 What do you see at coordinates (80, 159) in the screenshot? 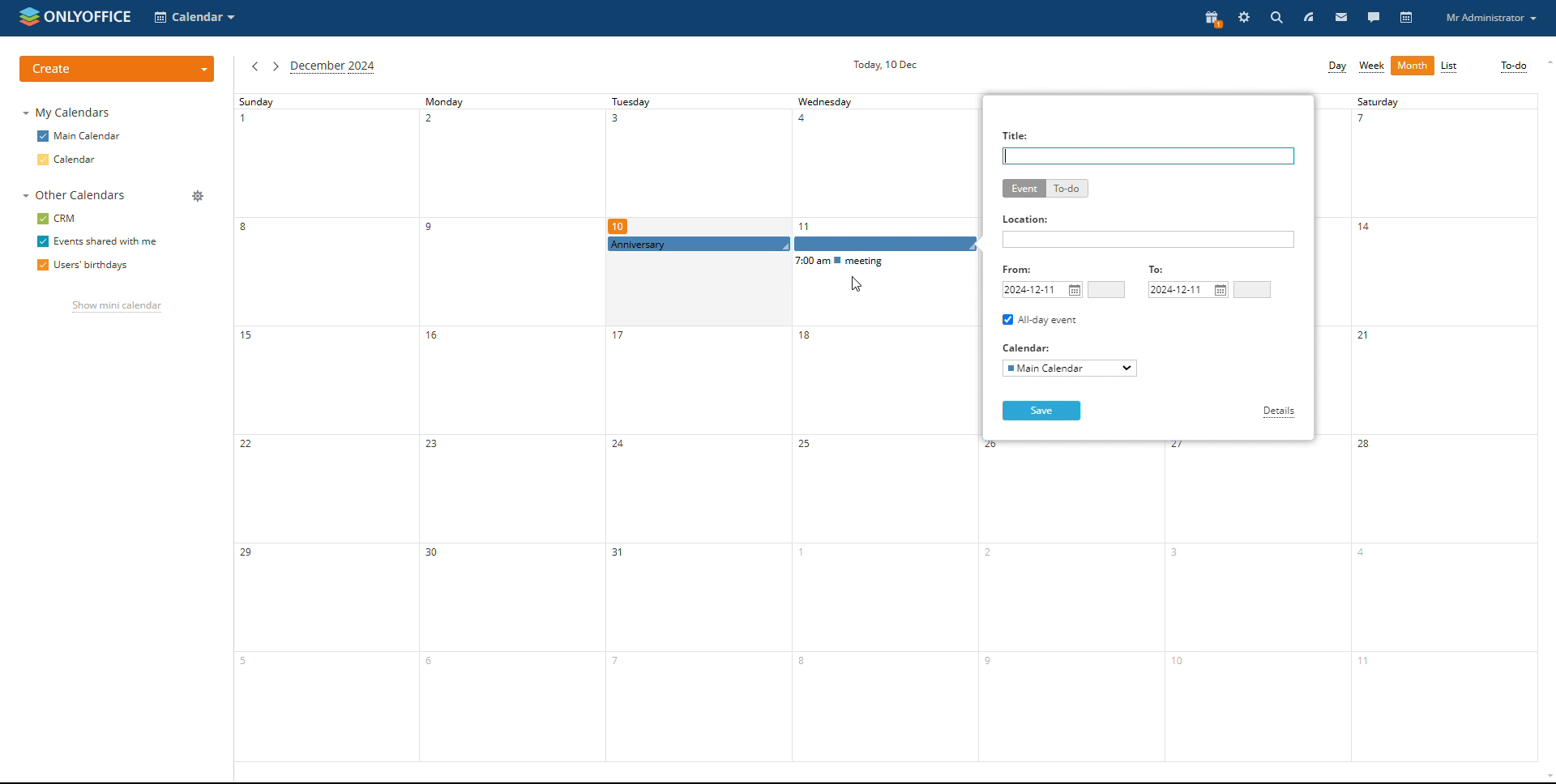
I see `calendar` at bounding box center [80, 159].